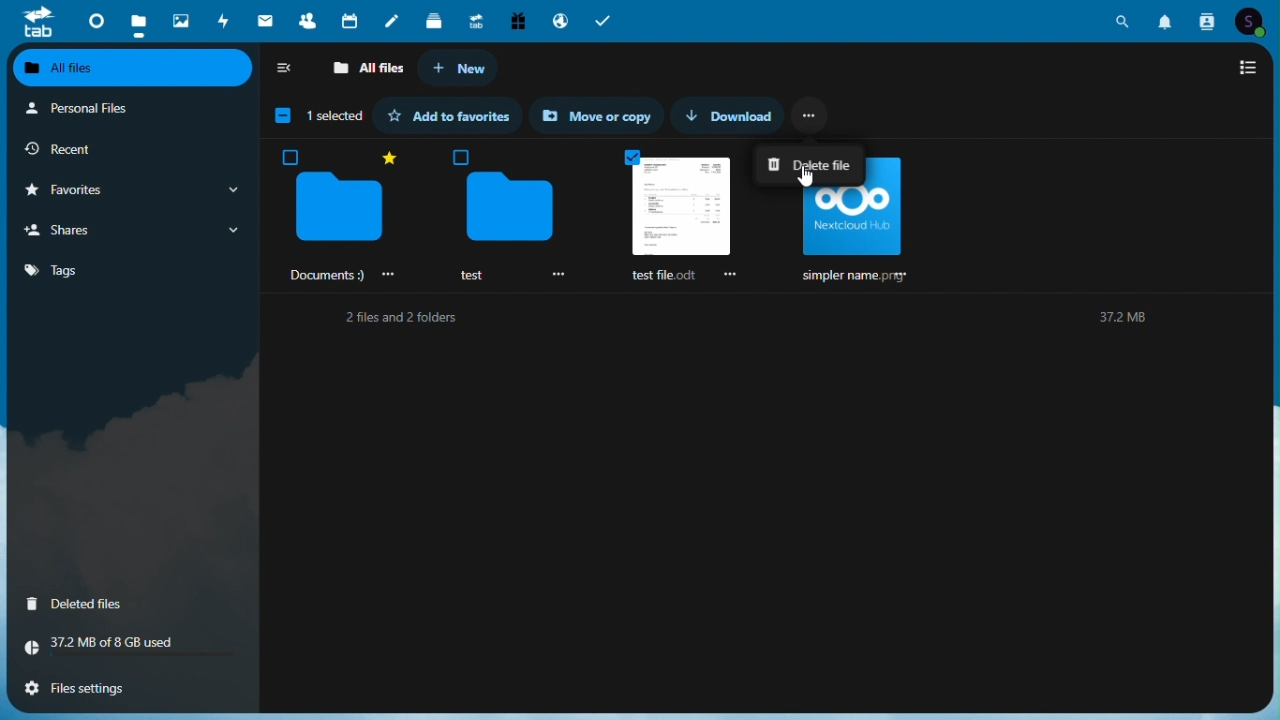 The image size is (1280, 720). I want to click on tasks, so click(604, 21).